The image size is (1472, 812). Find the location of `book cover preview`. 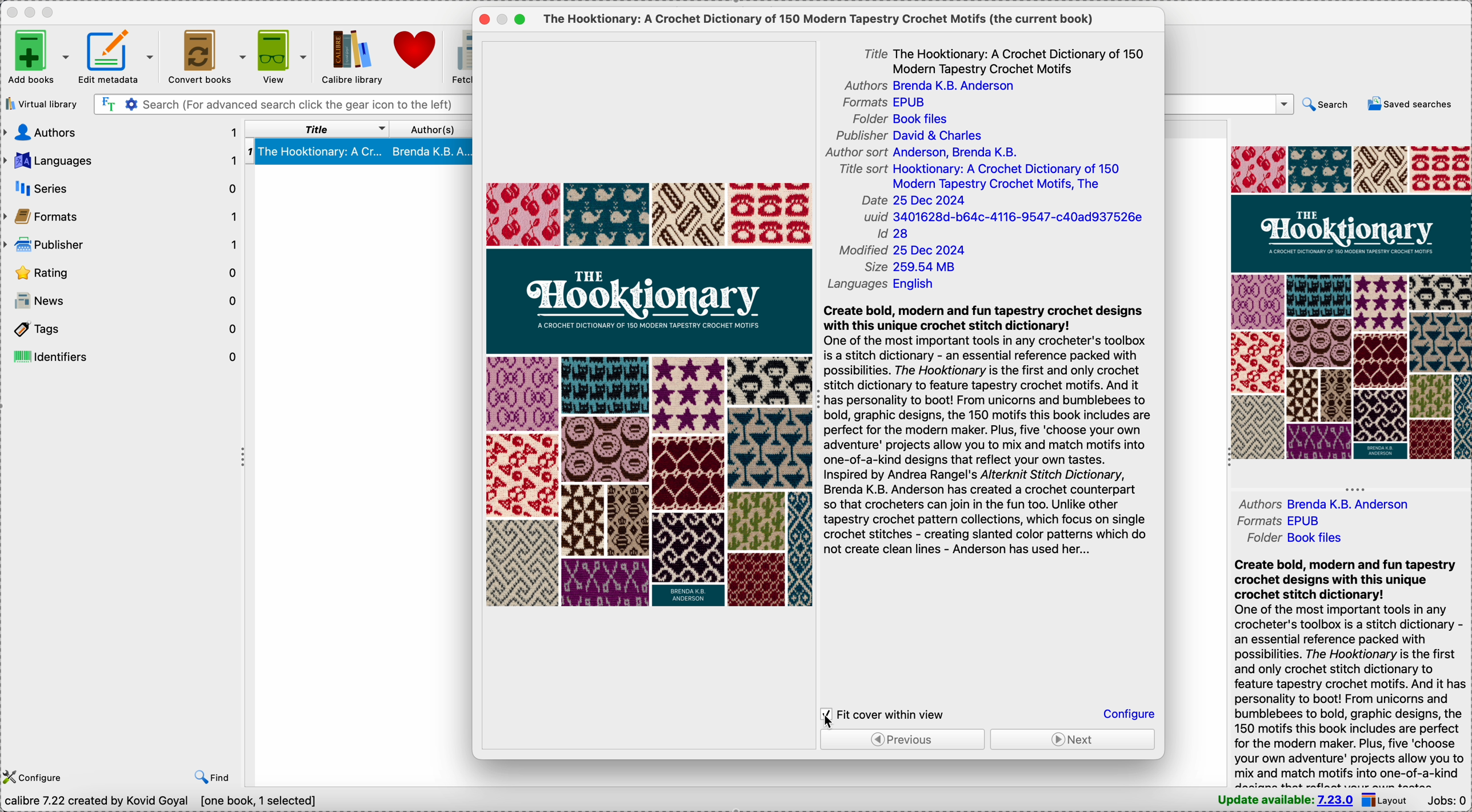

book cover preview is located at coordinates (650, 395).